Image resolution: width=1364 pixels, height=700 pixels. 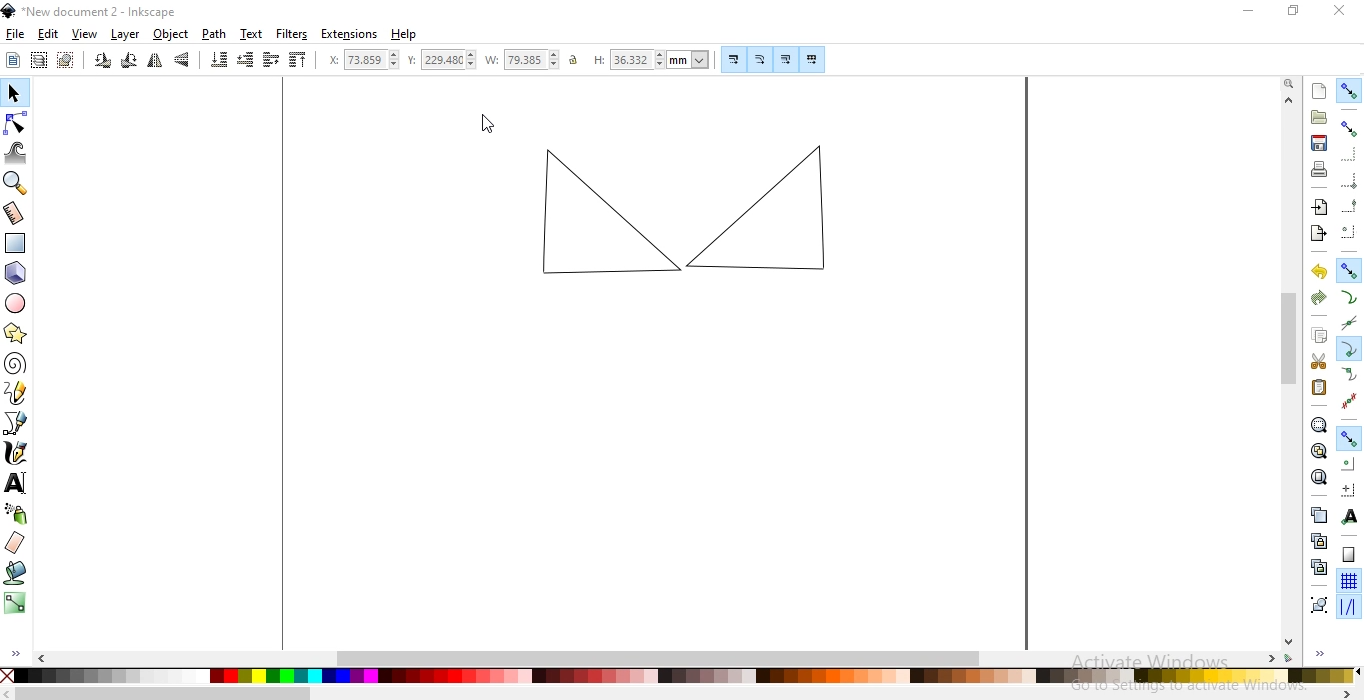 What do you see at coordinates (1314, 361) in the screenshot?
I see `cut selection` at bounding box center [1314, 361].